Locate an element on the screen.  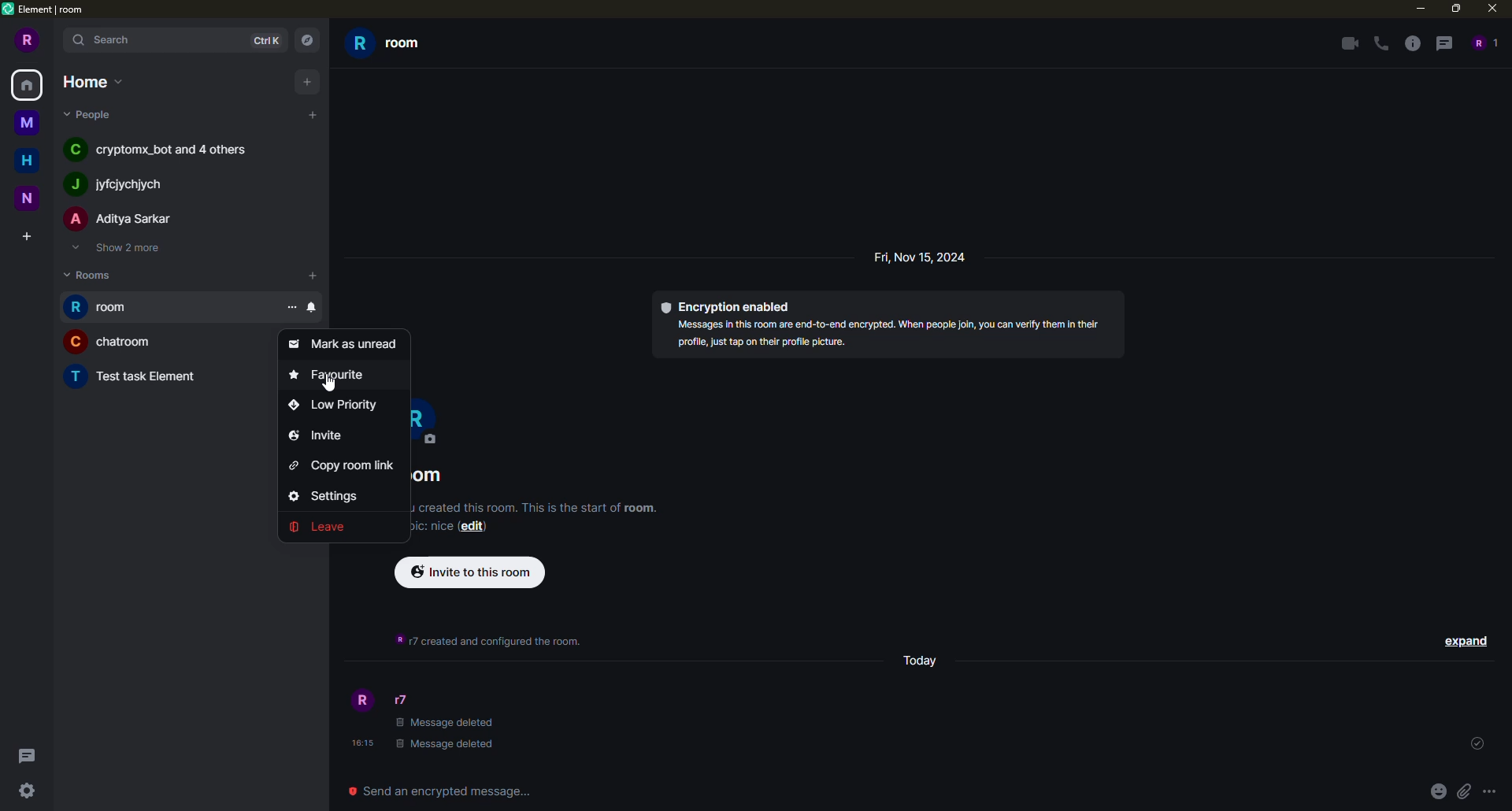
time is located at coordinates (360, 743).